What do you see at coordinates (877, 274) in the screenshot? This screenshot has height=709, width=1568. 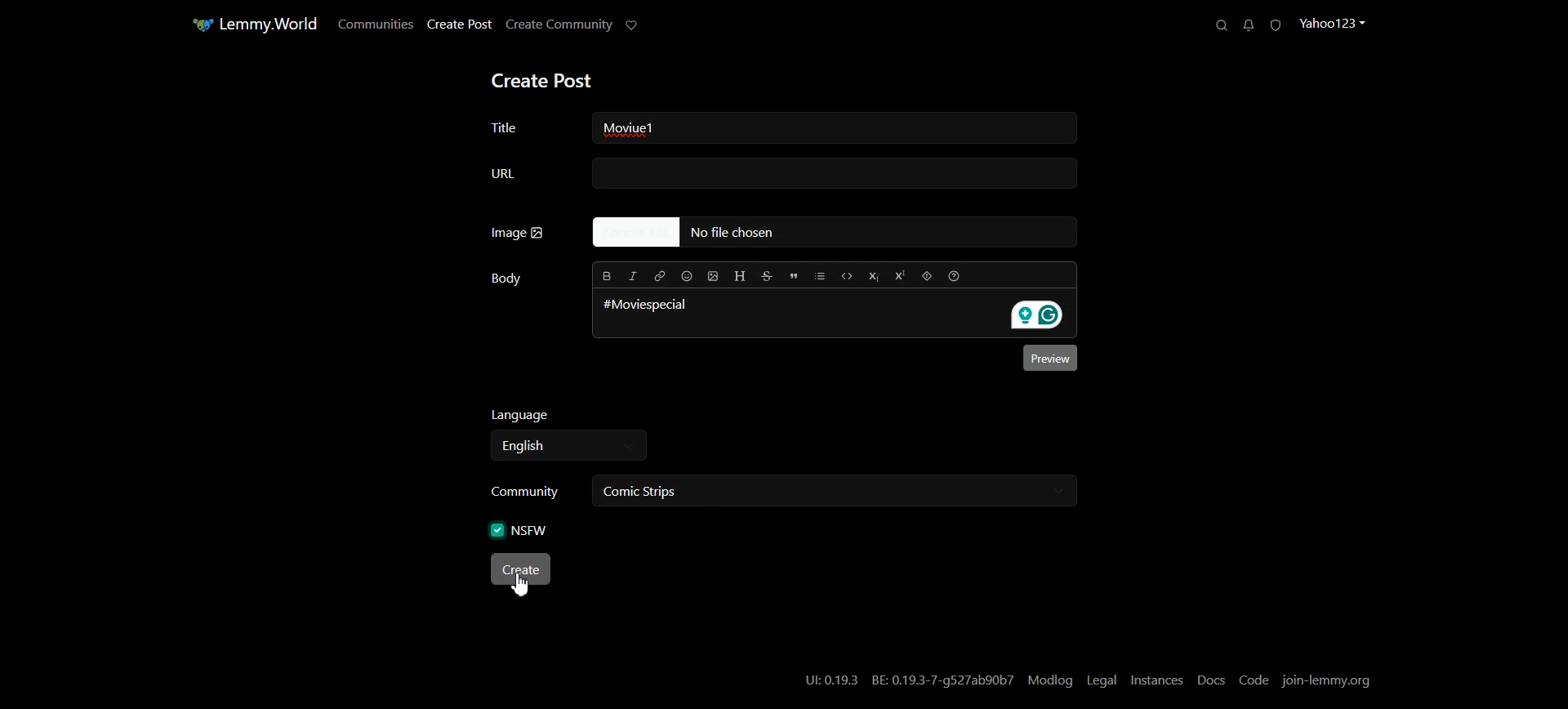 I see `Subscript` at bounding box center [877, 274].